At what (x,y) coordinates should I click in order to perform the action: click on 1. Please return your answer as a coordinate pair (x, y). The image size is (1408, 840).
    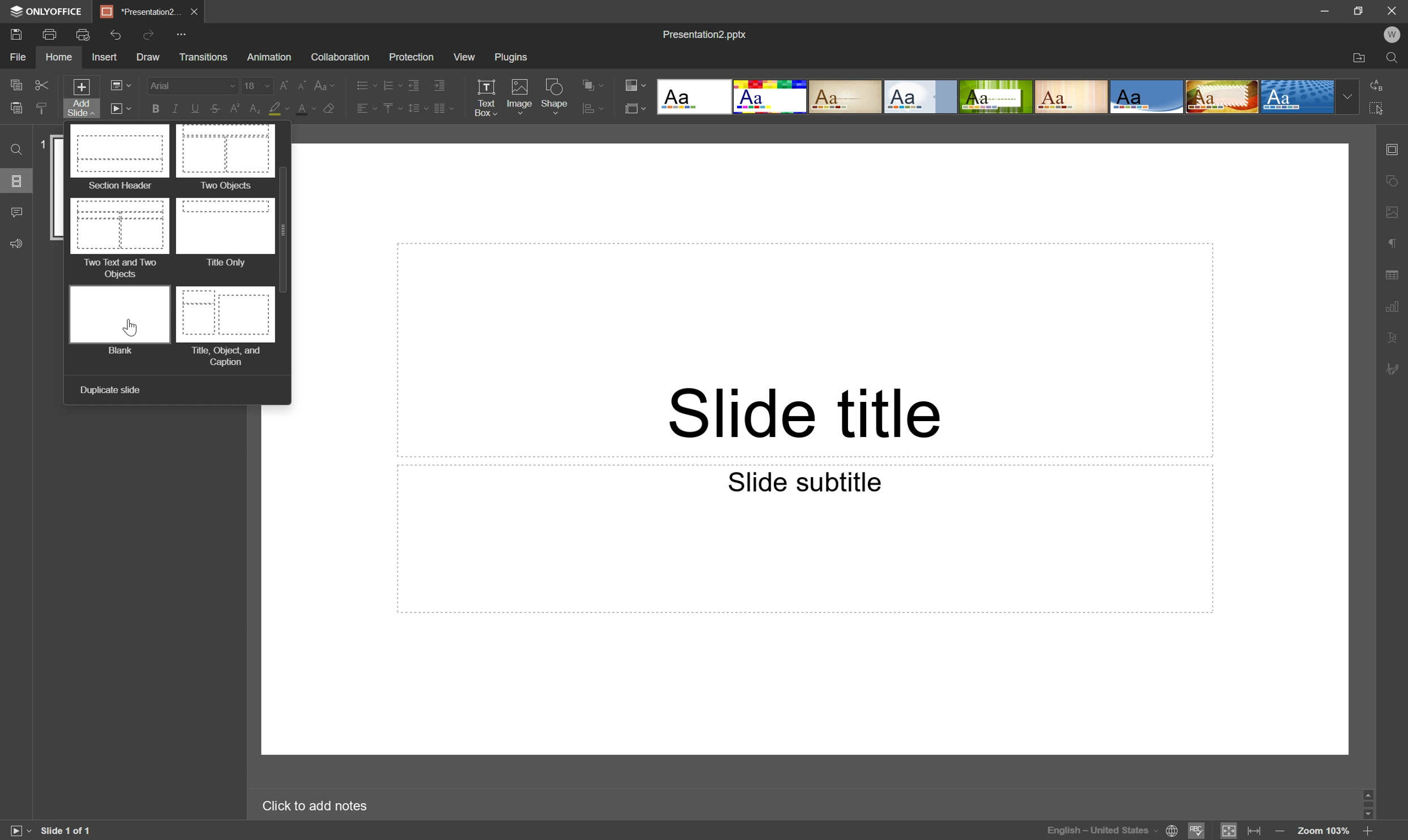
    Looking at the image, I should click on (43, 144).